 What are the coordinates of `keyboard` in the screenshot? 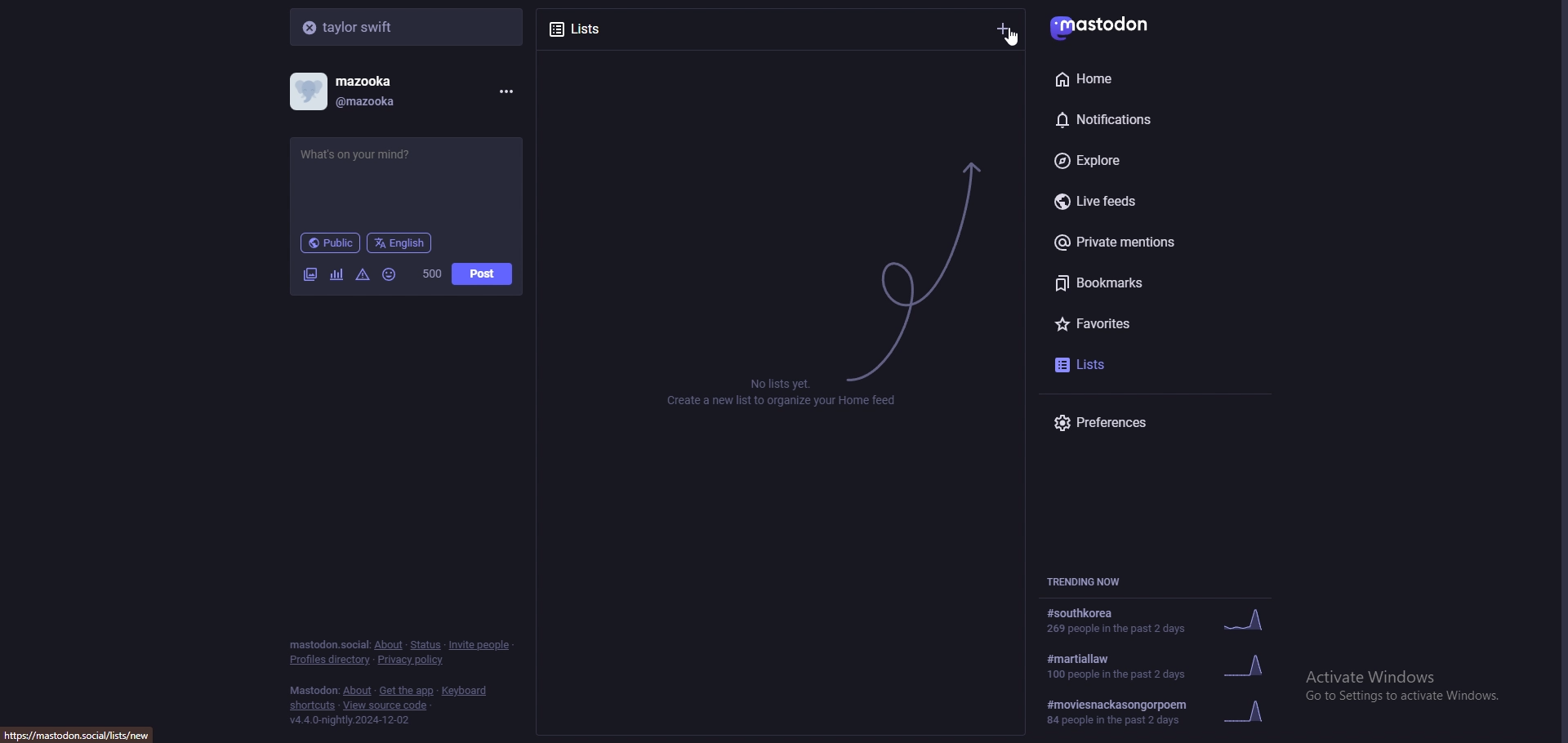 It's located at (466, 691).